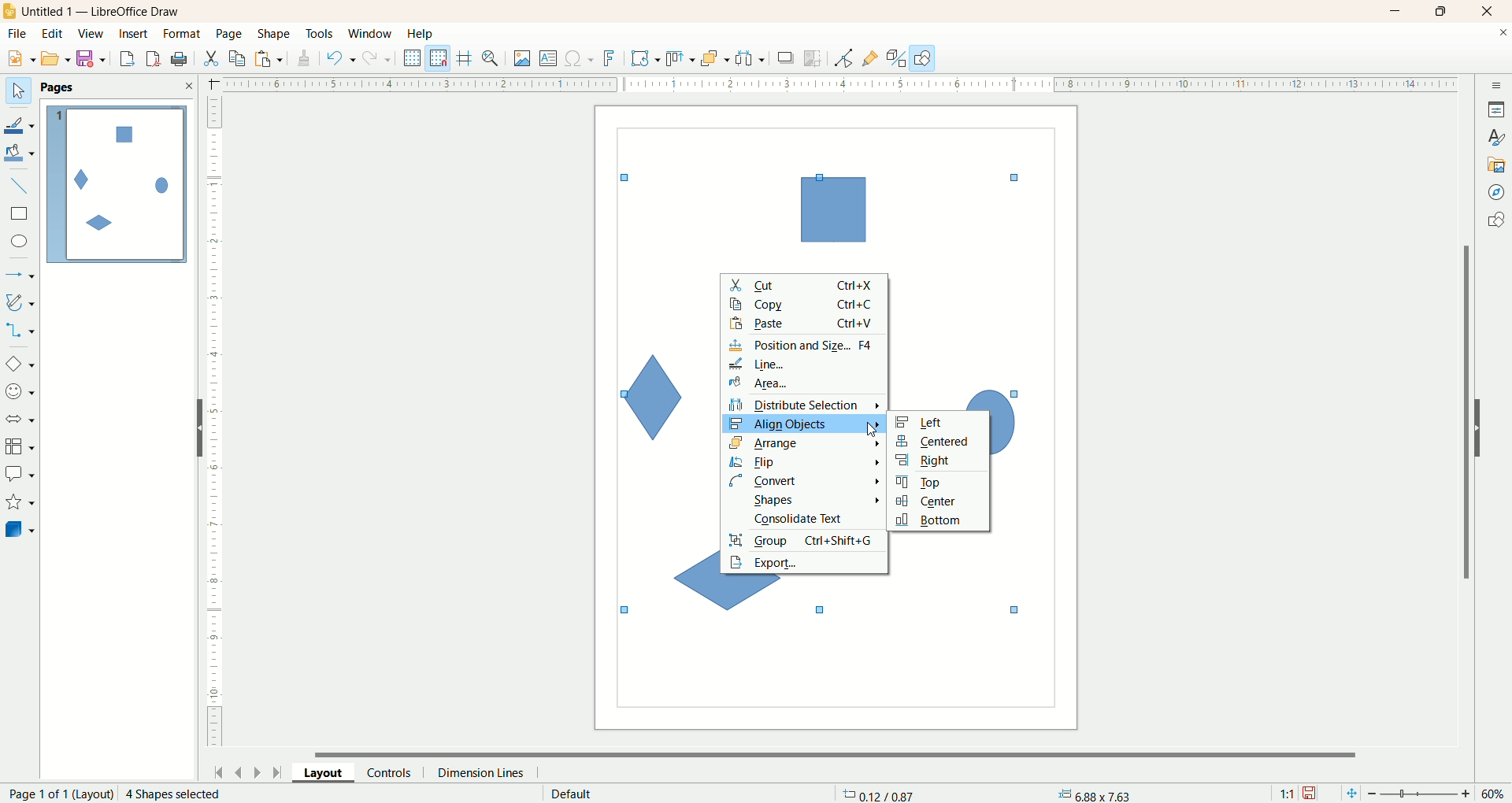 The image size is (1512, 803). I want to click on convert, so click(806, 479).